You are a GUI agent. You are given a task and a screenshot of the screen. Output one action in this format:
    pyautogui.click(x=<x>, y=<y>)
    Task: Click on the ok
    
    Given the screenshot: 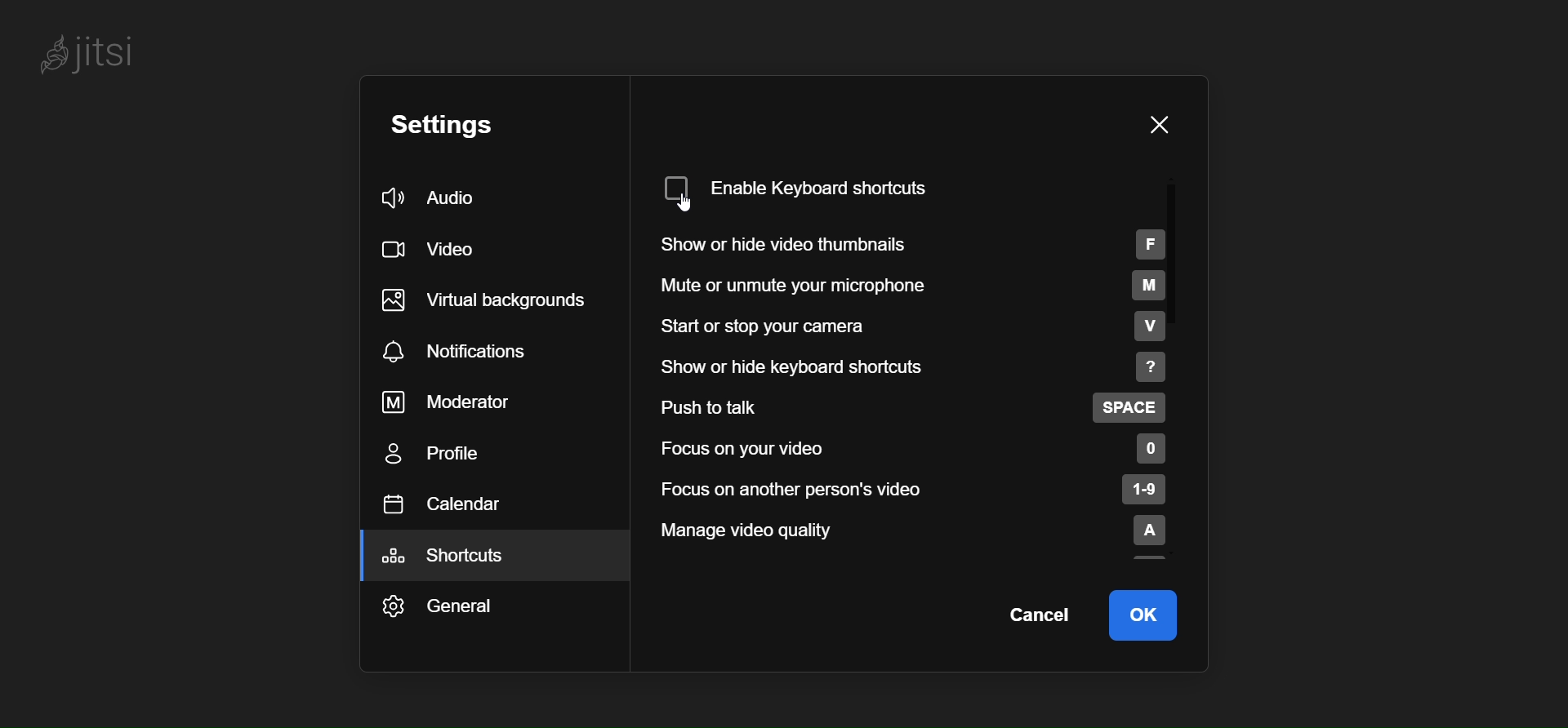 What is the action you would take?
    pyautogui.click(x=1146, y=618)
    